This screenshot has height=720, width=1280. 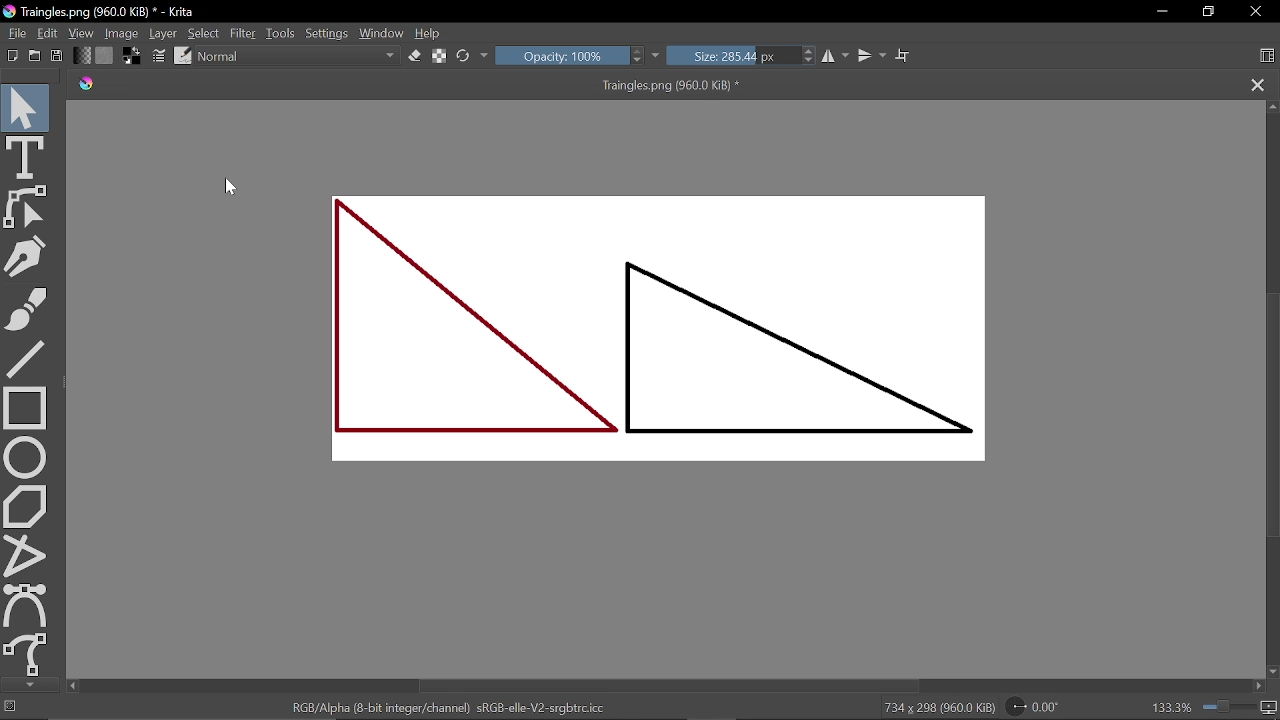 What do you see at coordinates (1272, 108) in the screenshot?
I see `Move up` at bounding box center [1272, 108].